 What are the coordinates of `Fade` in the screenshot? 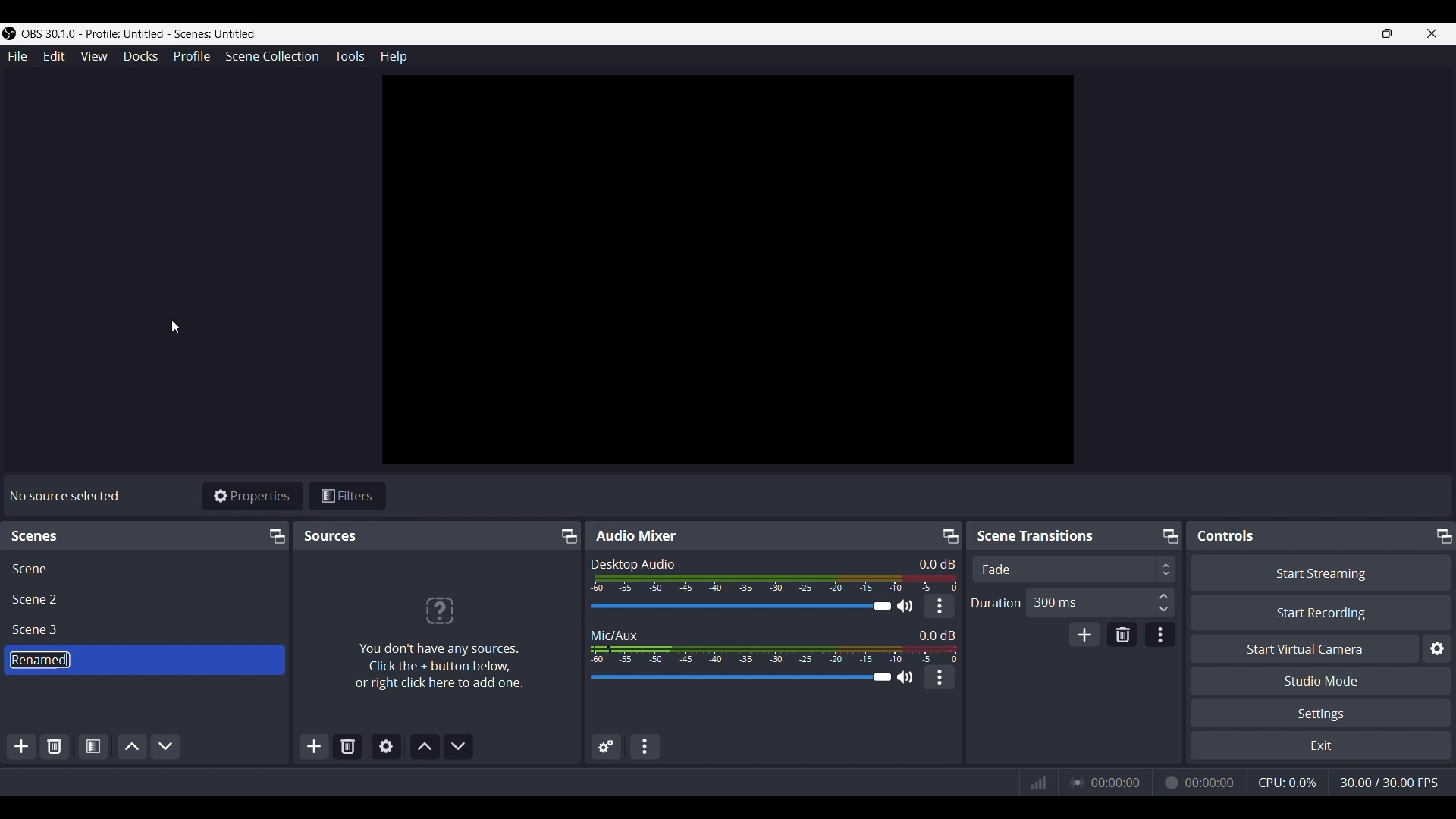 It's located at (996, 570).